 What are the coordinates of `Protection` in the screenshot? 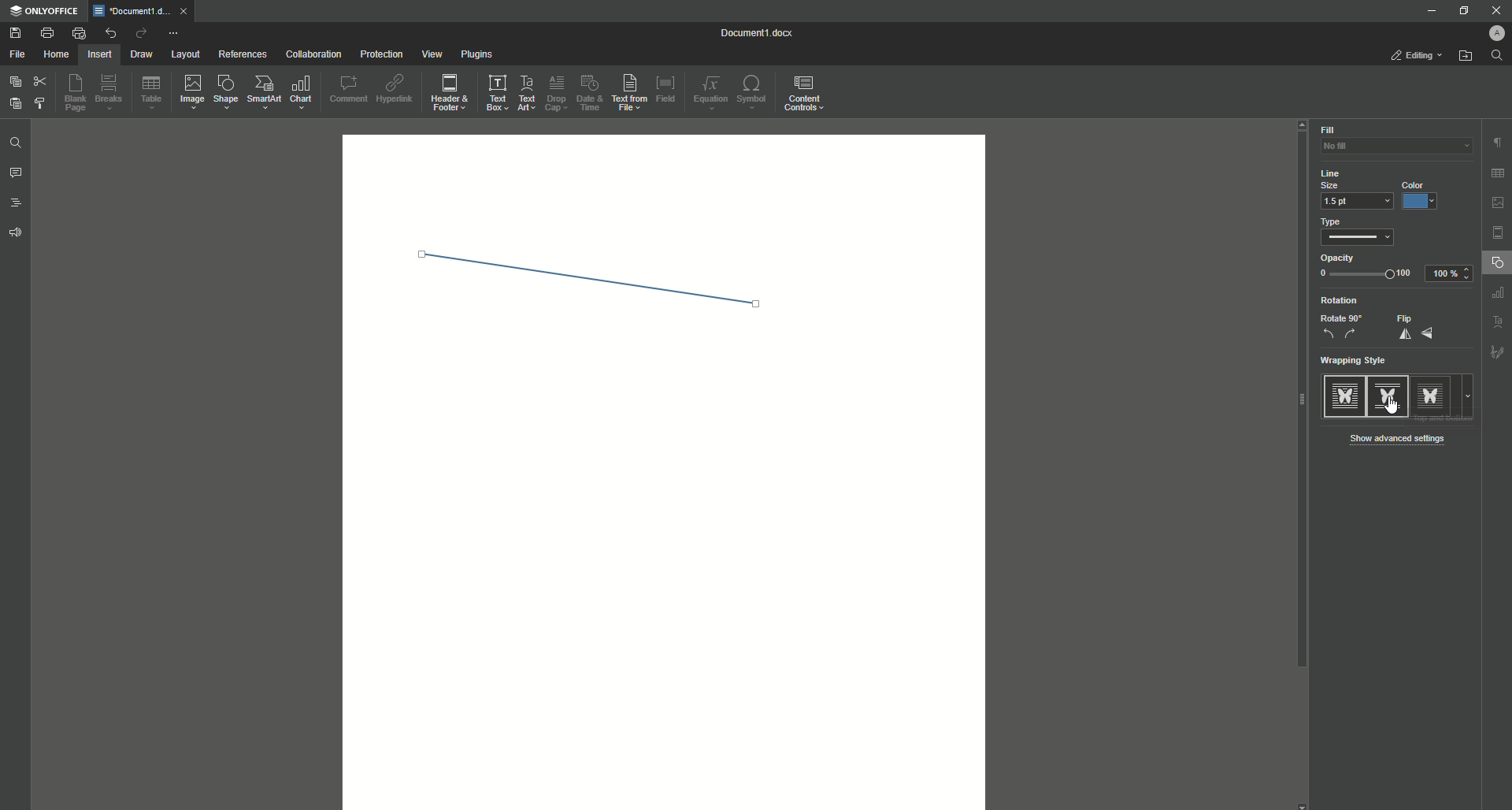 It's located at (380, 54).